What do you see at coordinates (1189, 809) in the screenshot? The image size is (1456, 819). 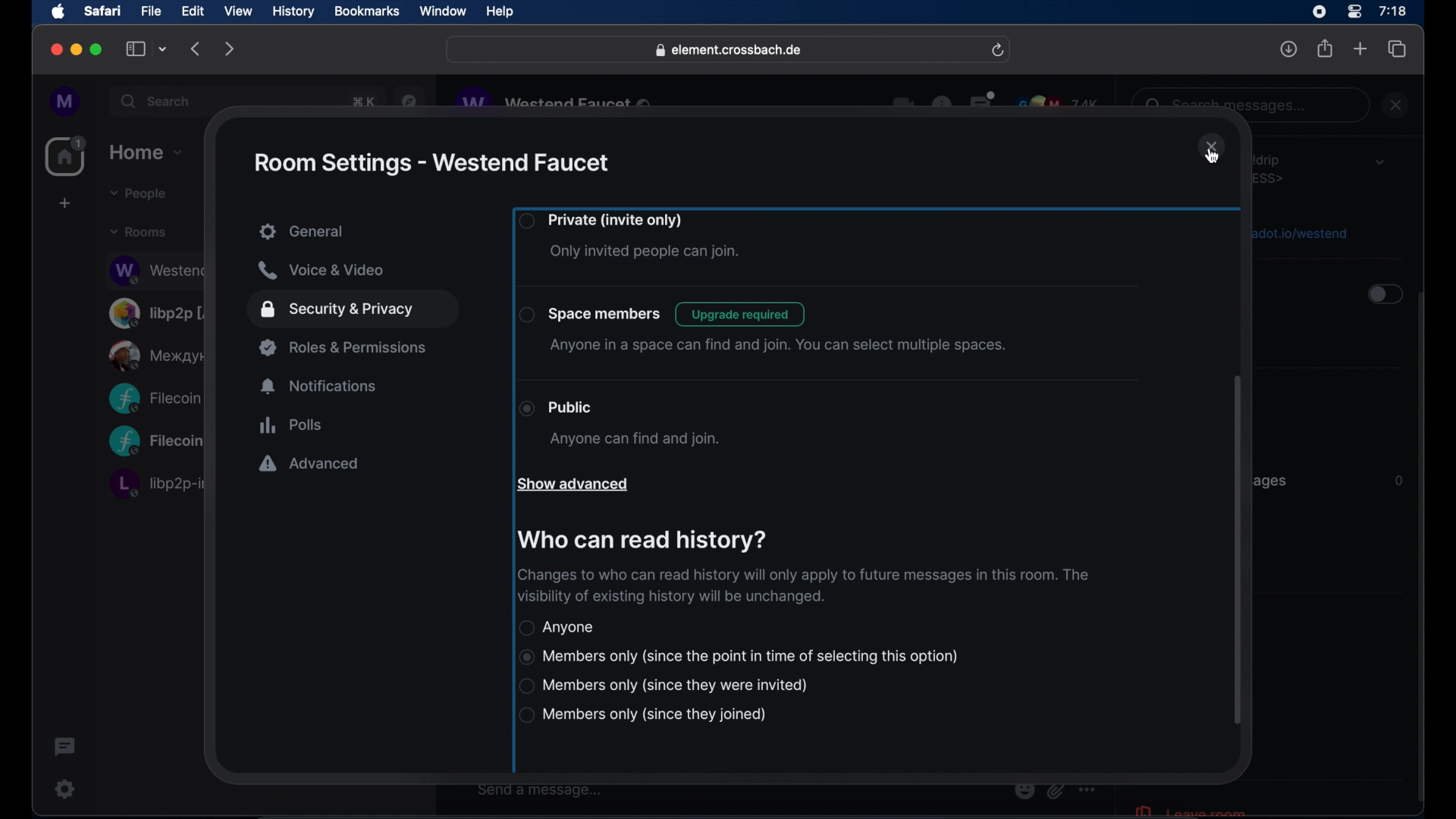 I see `leave room` at bounding box center [1189, 809].